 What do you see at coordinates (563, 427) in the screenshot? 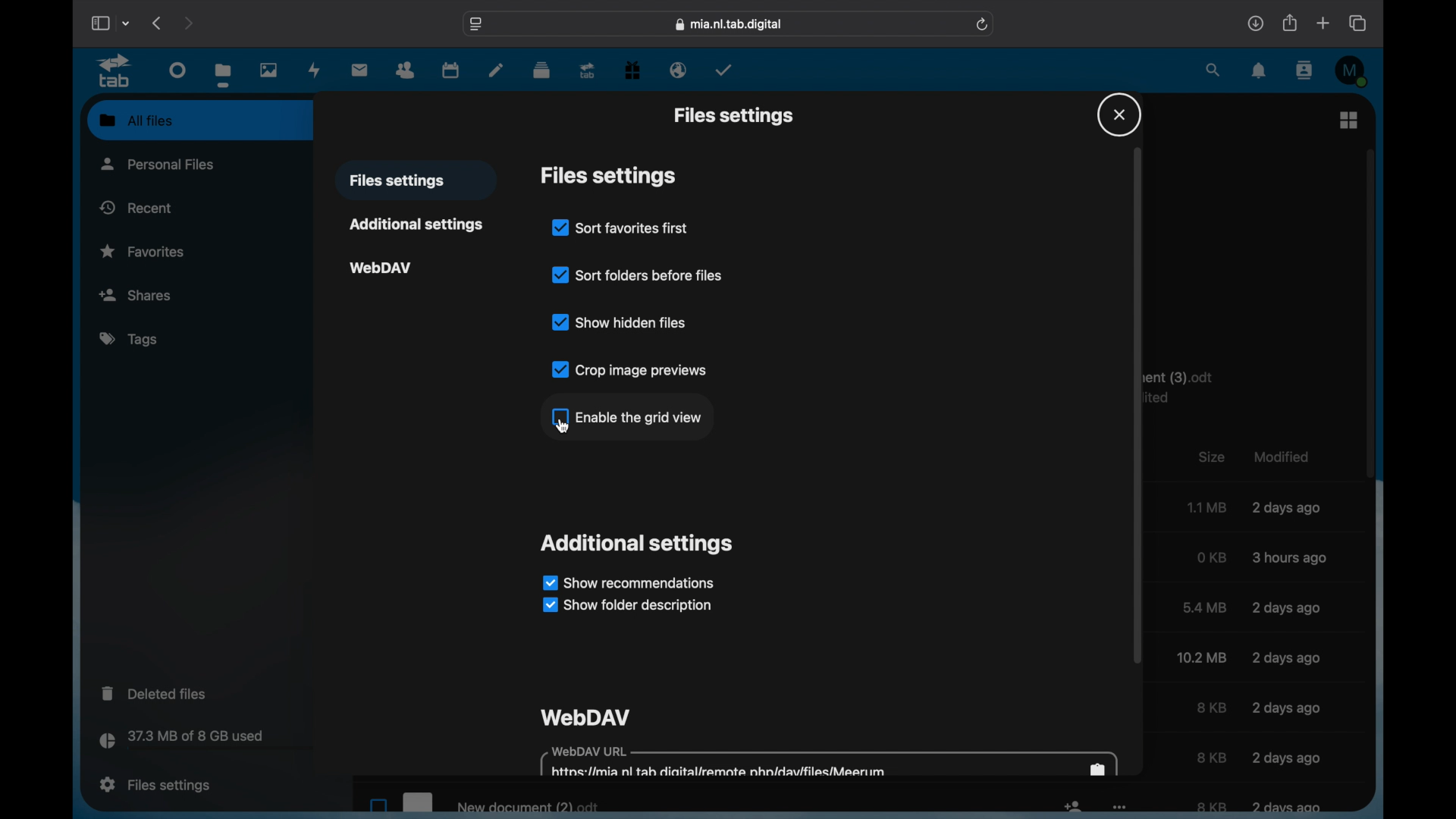
I see `cursor` at bounding box center [563, 427].